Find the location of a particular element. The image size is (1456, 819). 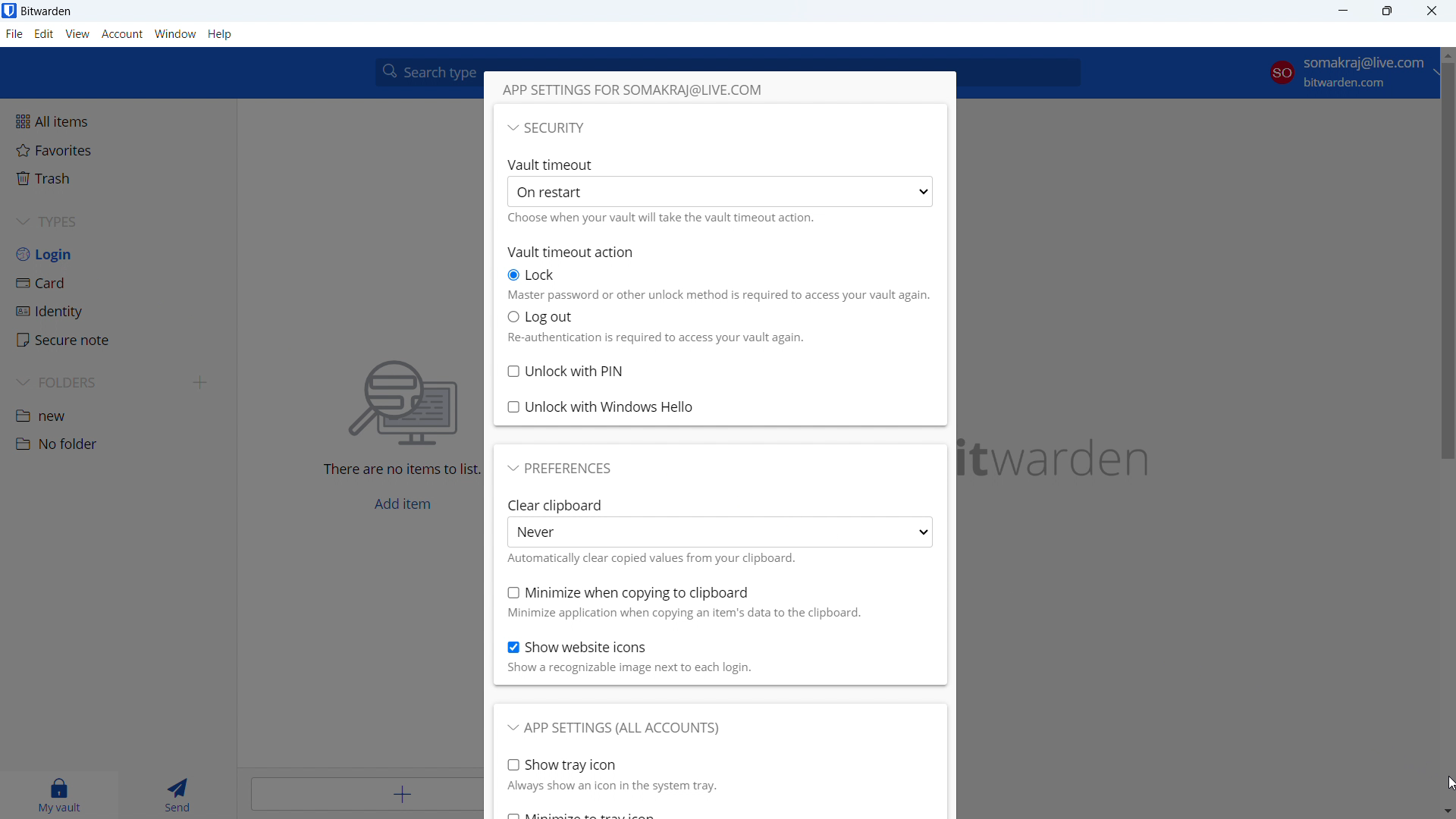

security is located at coordinates (548, 127).